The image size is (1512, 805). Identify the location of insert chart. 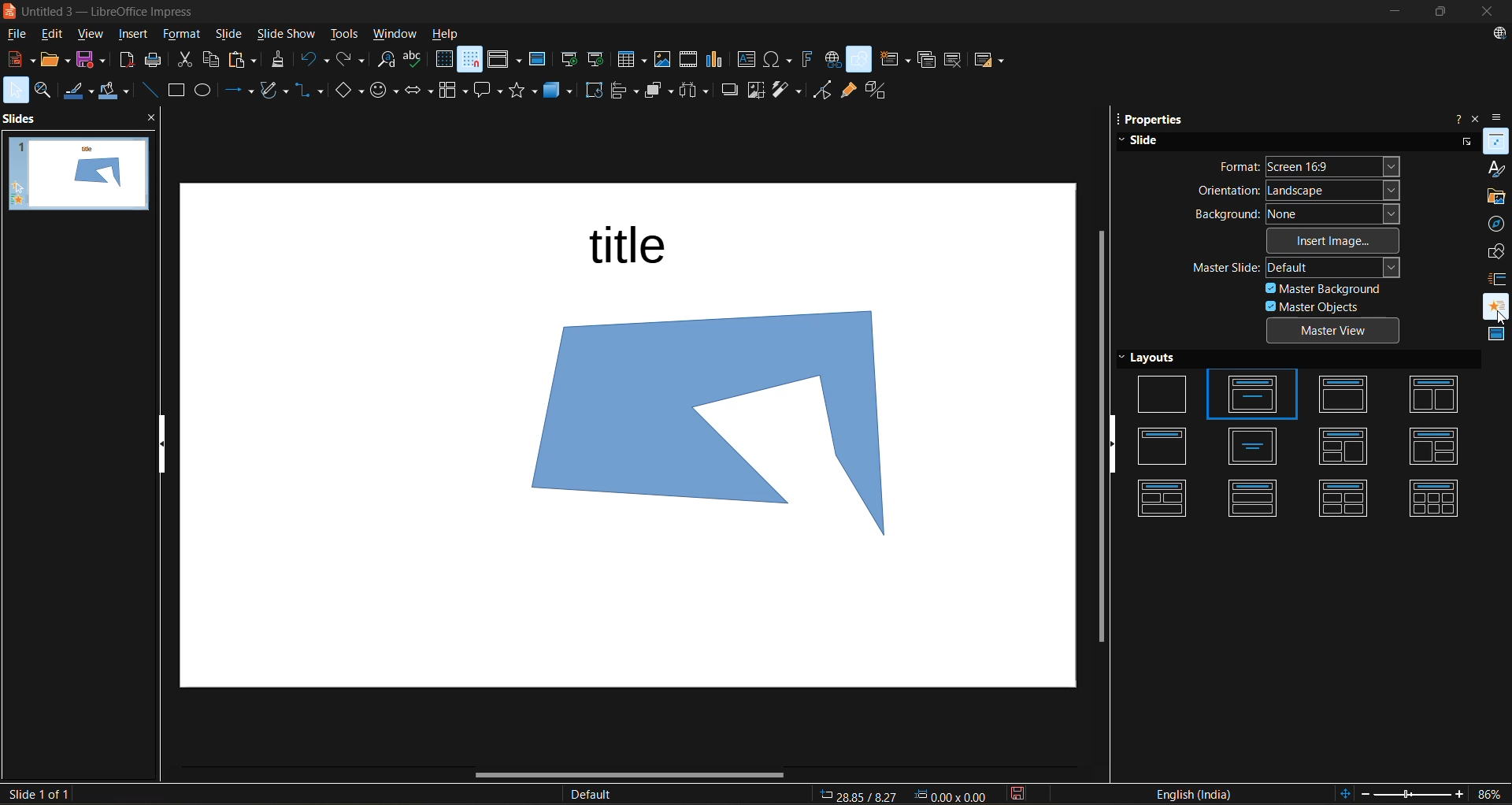
(714, 60).